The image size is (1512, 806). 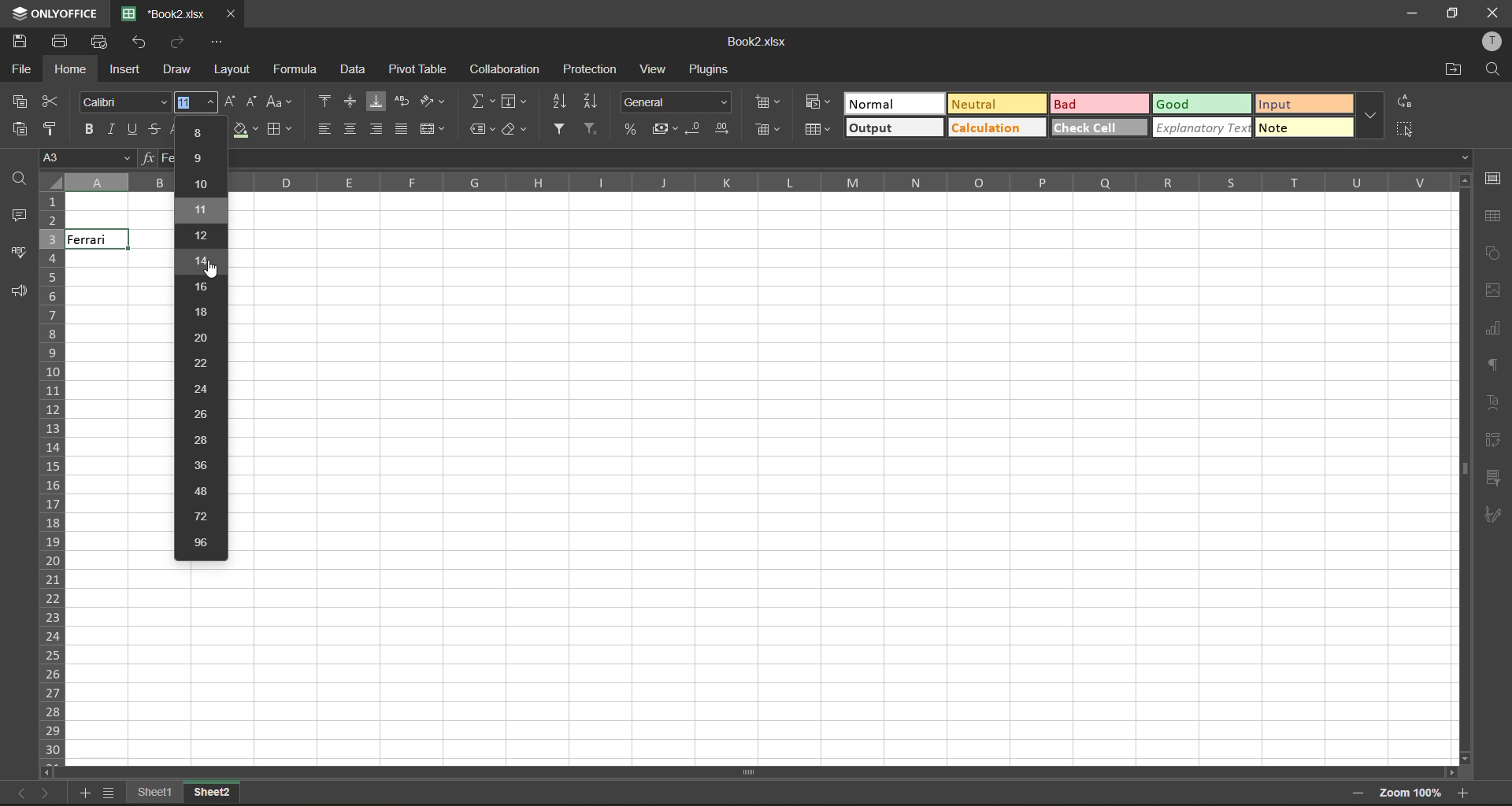 I want to click on italic, so click(x=114, y=131).